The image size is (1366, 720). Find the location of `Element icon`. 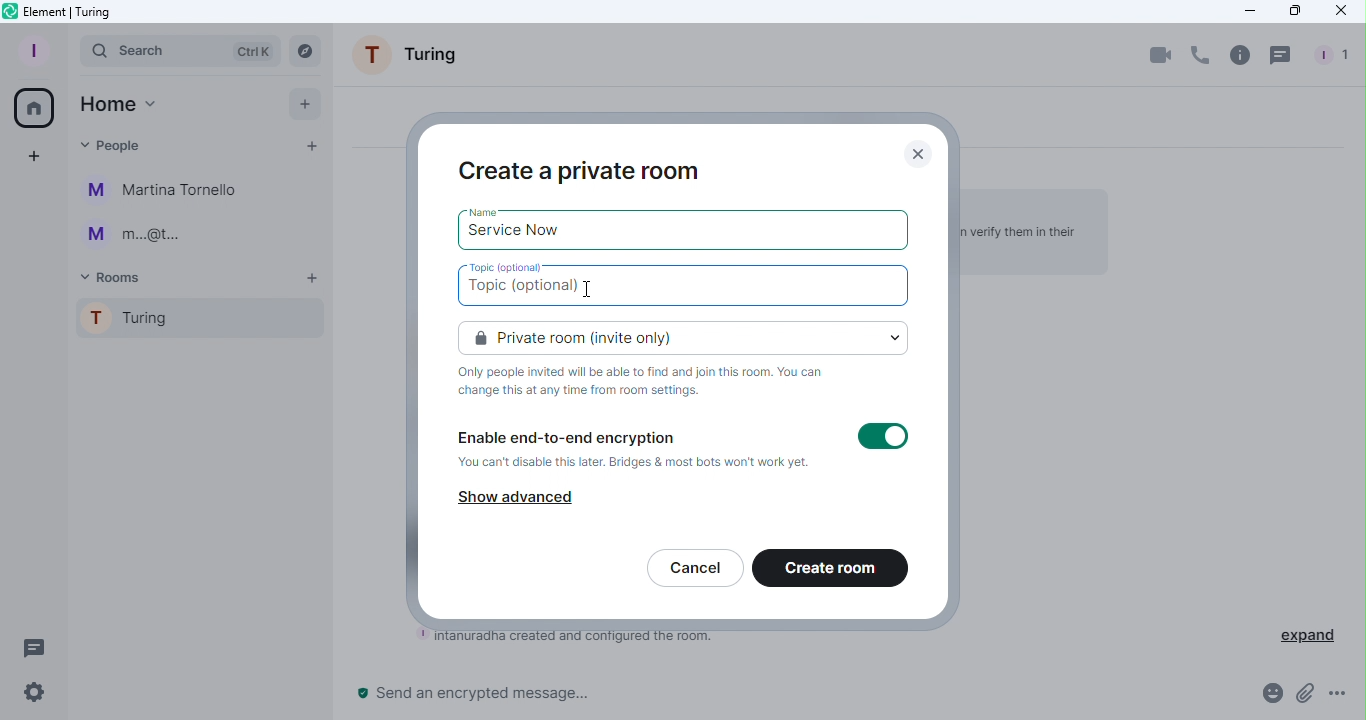

Element icon is located at coordinates (69, 12).